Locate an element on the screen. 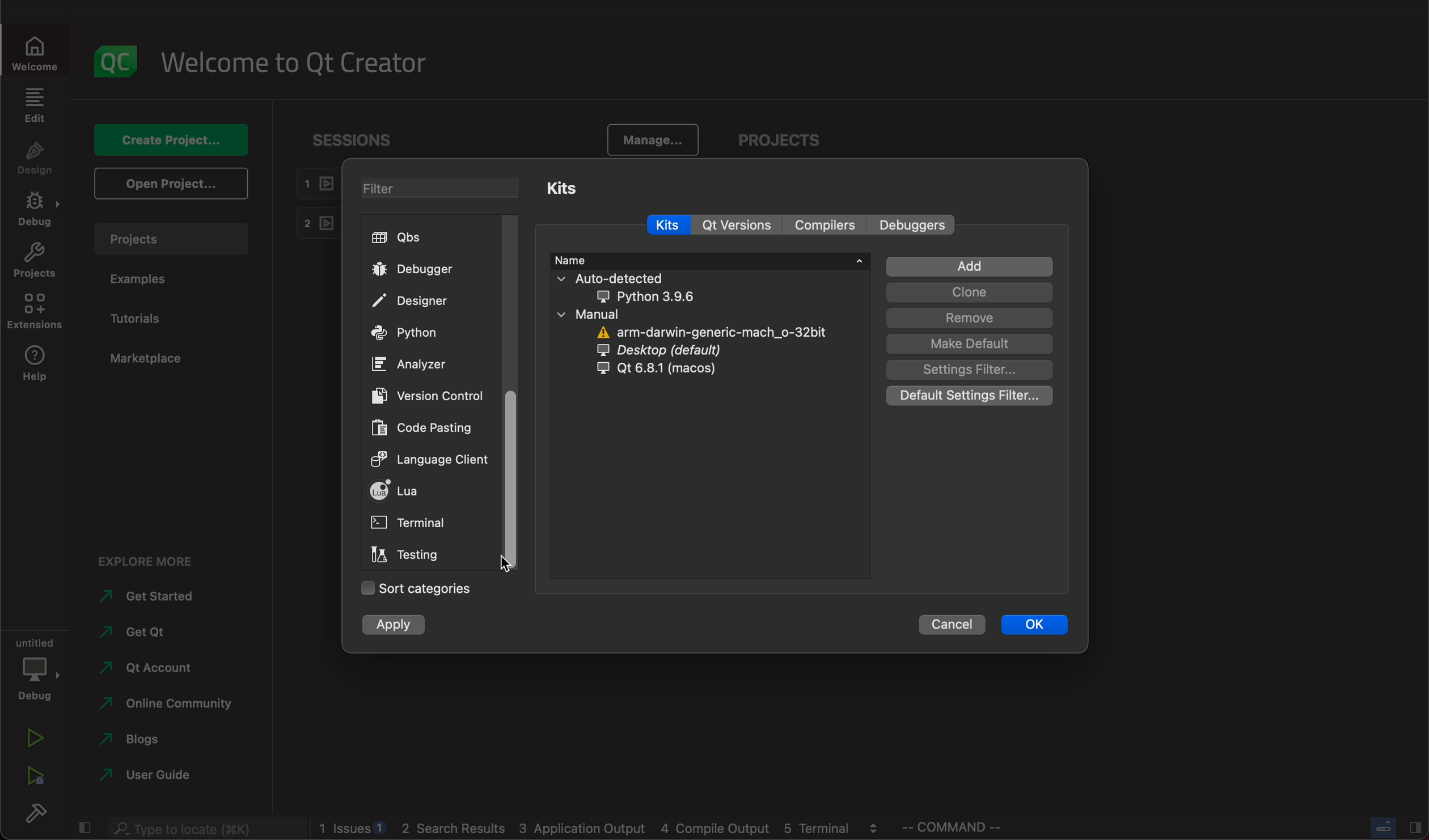  logs is located at coordinates (602, 829).